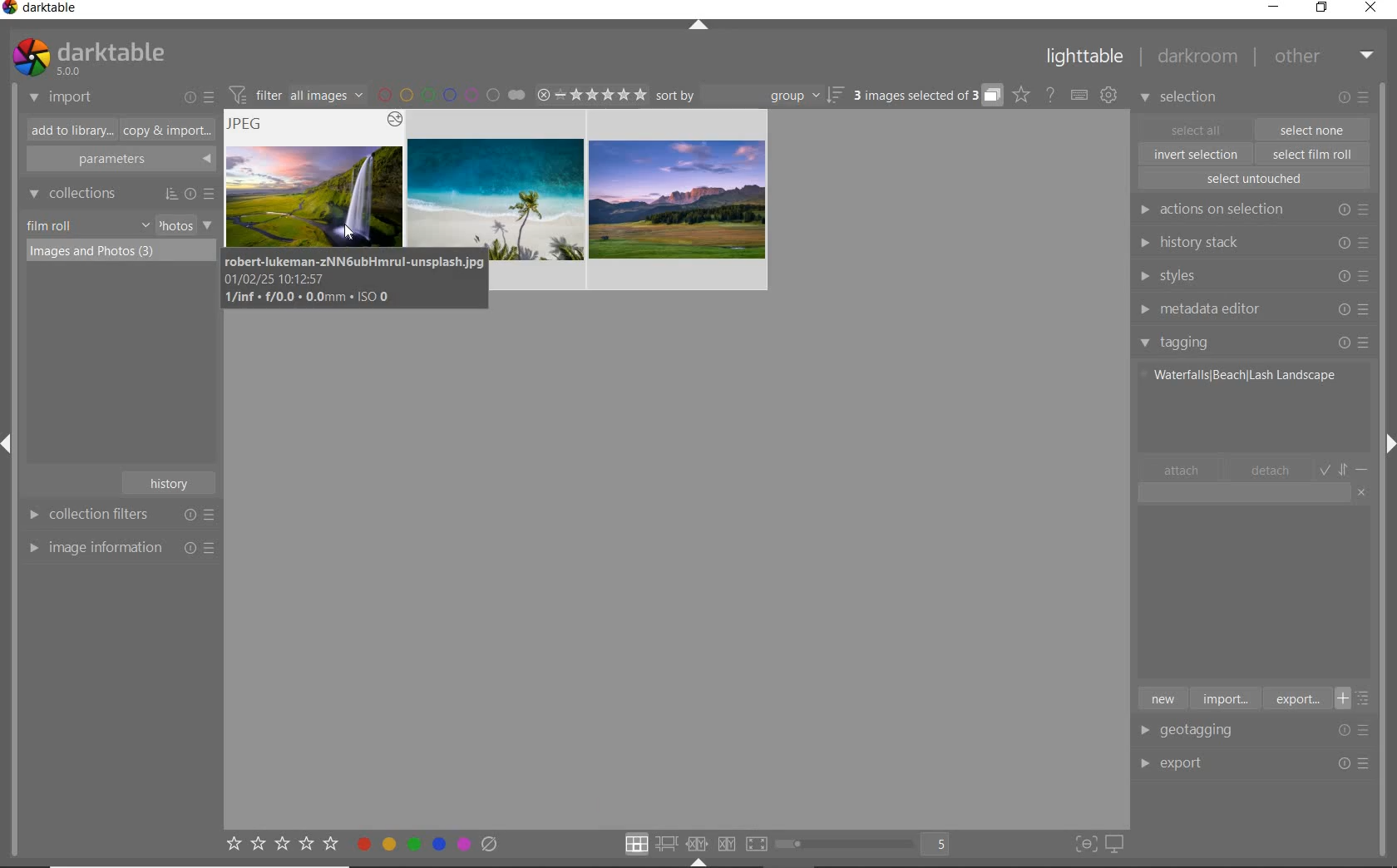  Describe the element at coordinates (87, 57) in the screenshot. I see `system logo` at that location.